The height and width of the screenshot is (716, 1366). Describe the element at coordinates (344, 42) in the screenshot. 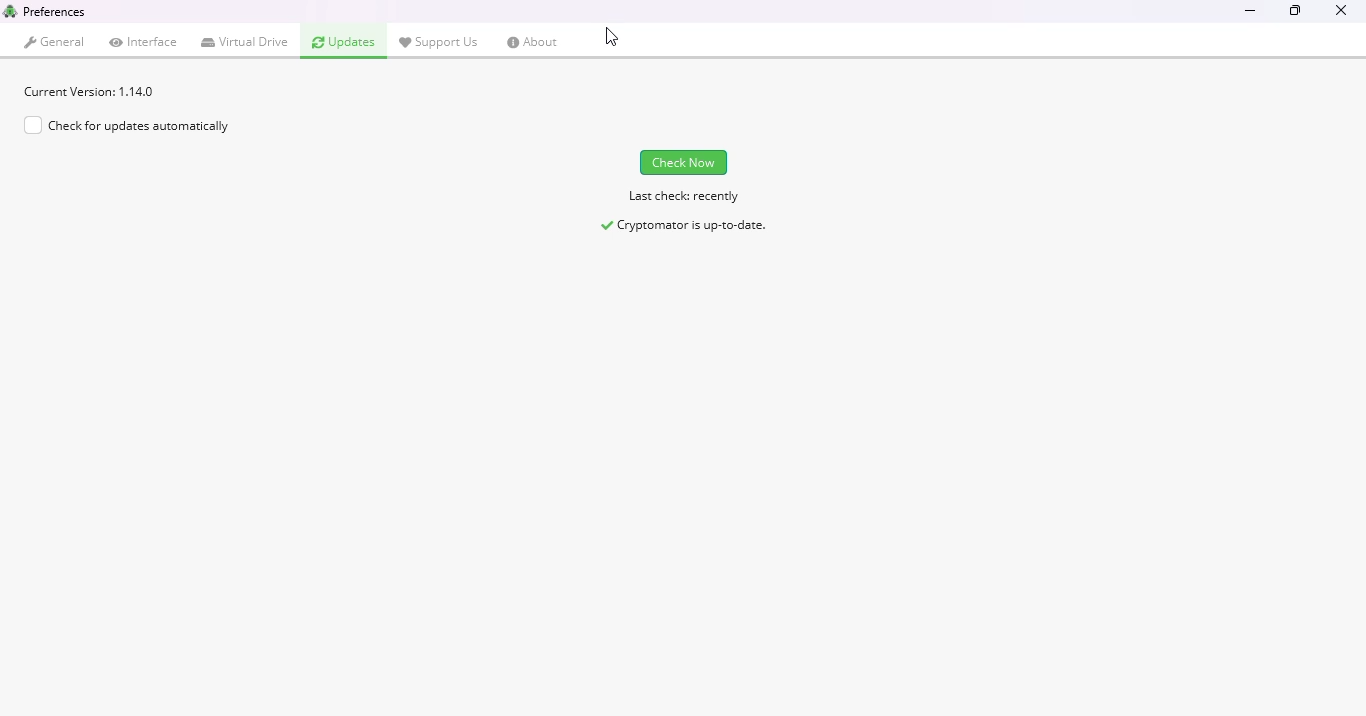

I see `updates` at that location.